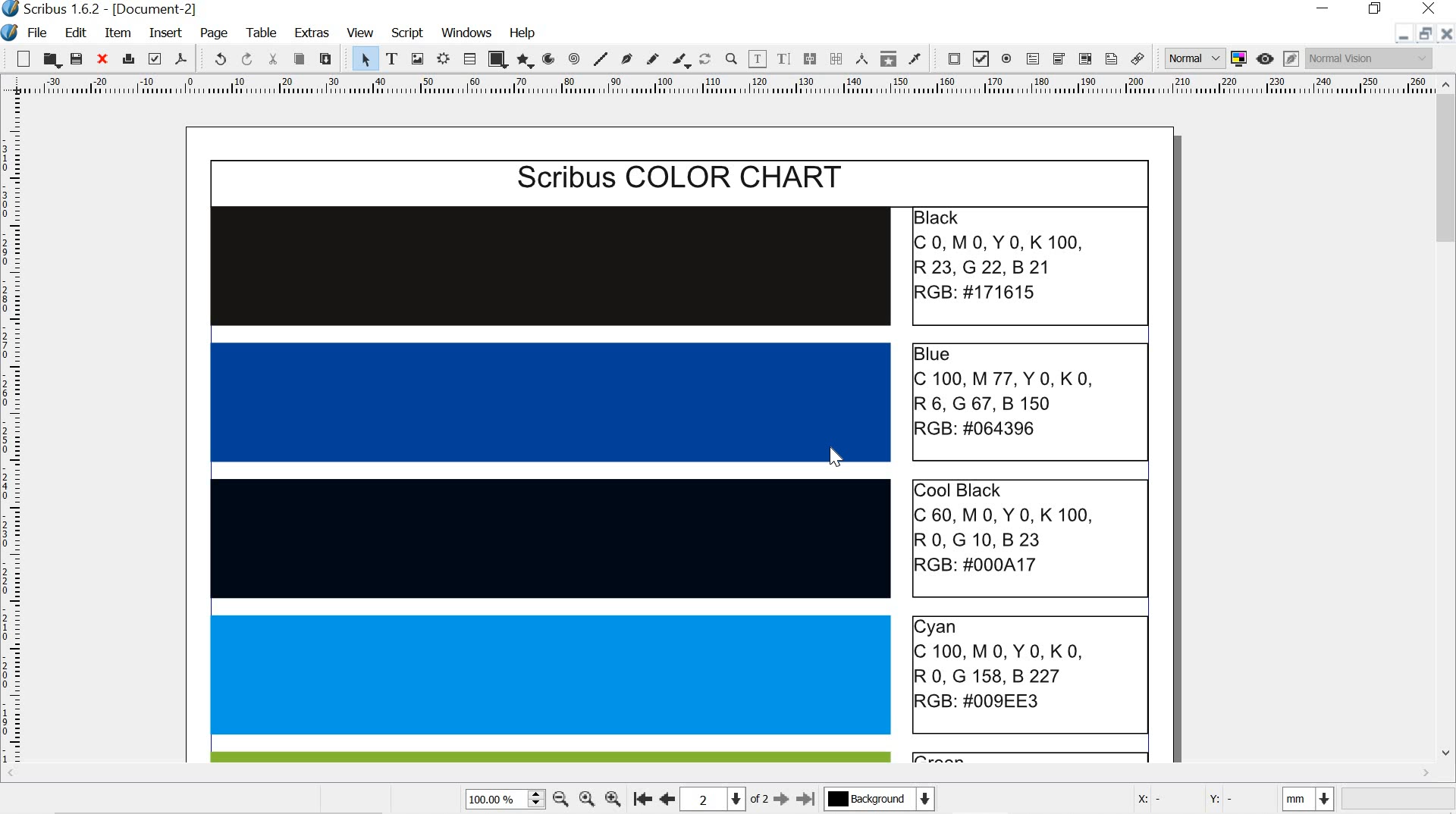 The width and height of the screenshot is (1456, 814). What do you see at coordinates (1008, 61) in the screenshot?
I see `pdf radio button` at bounding box center [1008, 61].